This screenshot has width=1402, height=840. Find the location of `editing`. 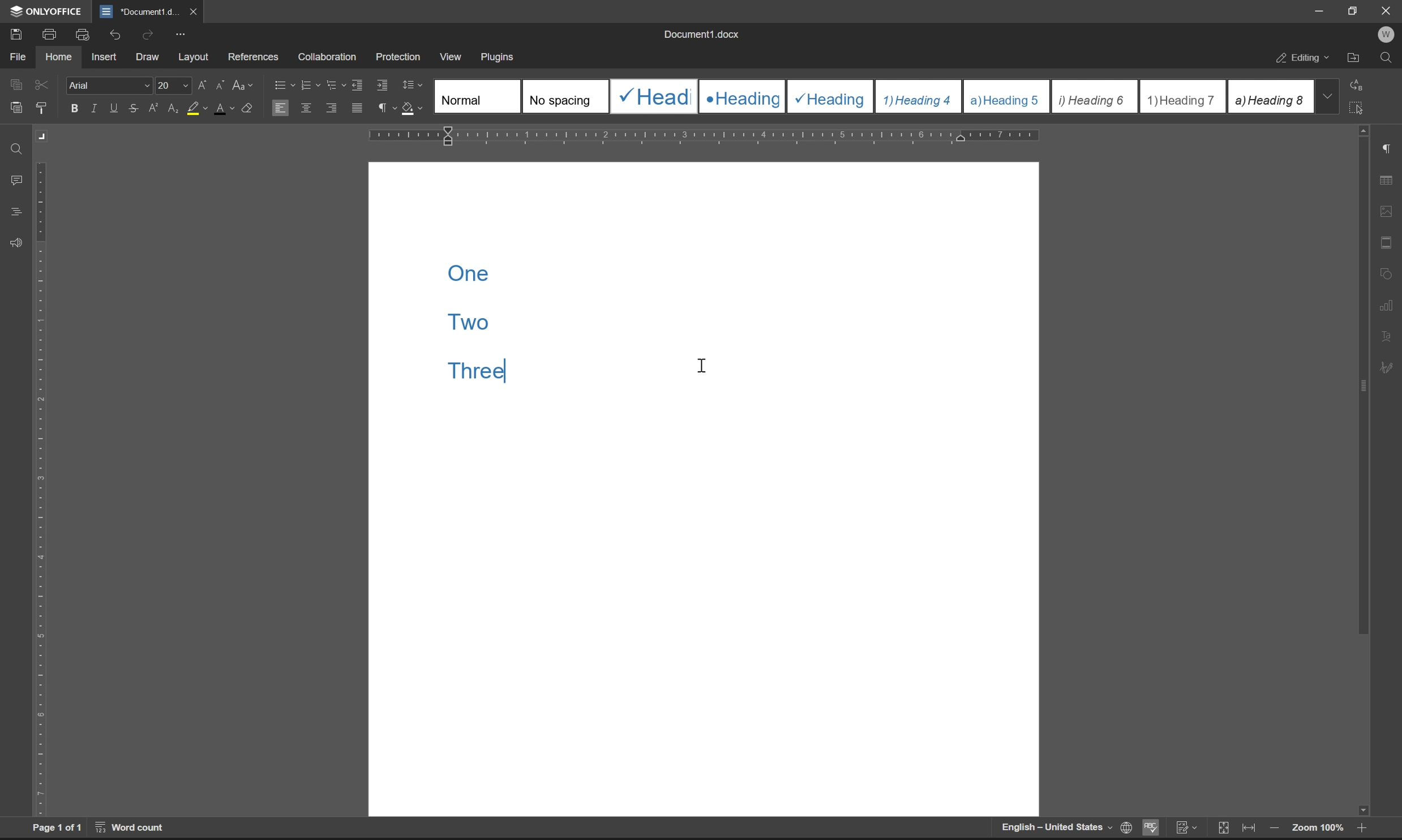

editing is located at coordinates (1304, 59).